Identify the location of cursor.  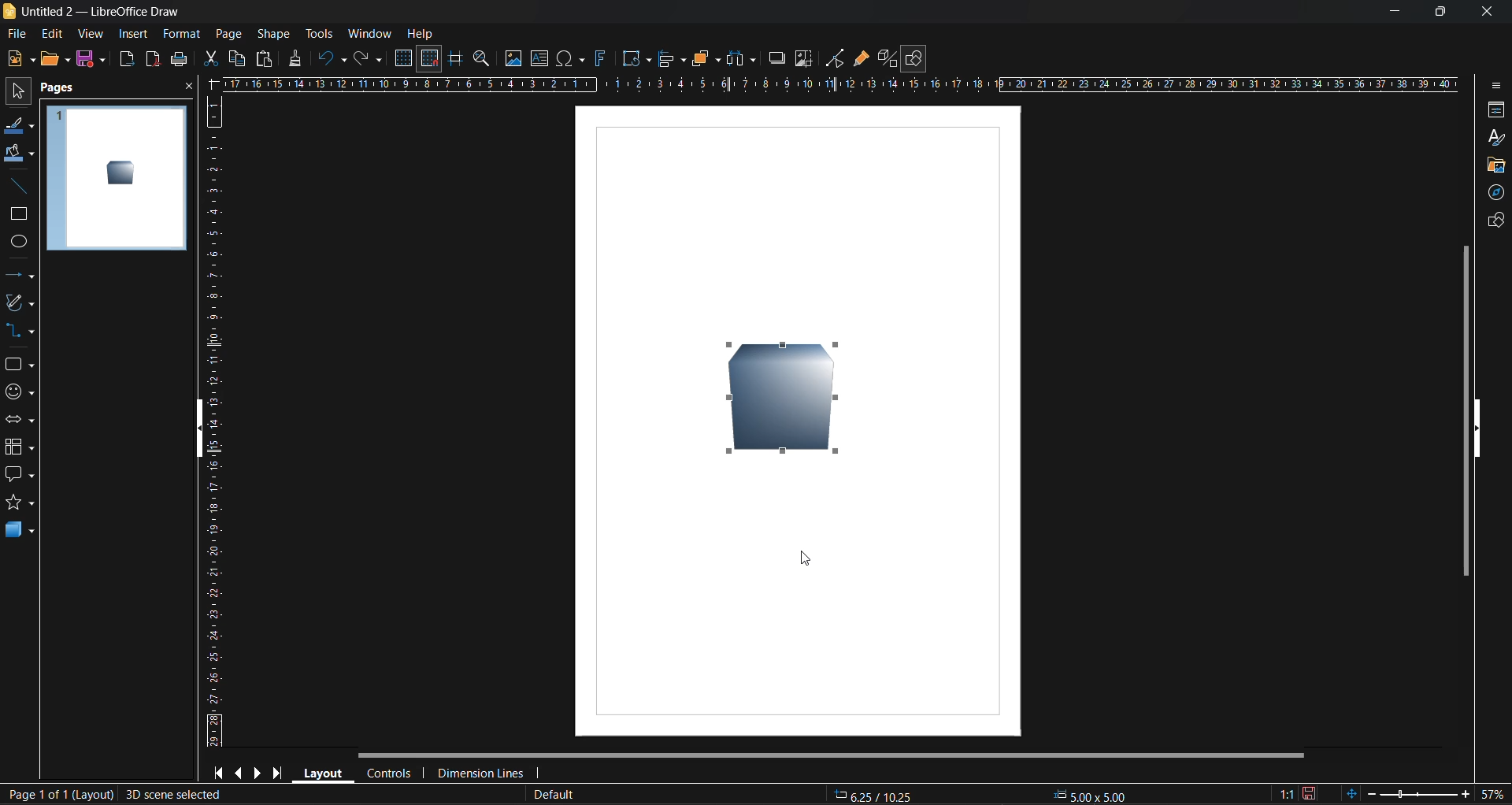
(808, 559).